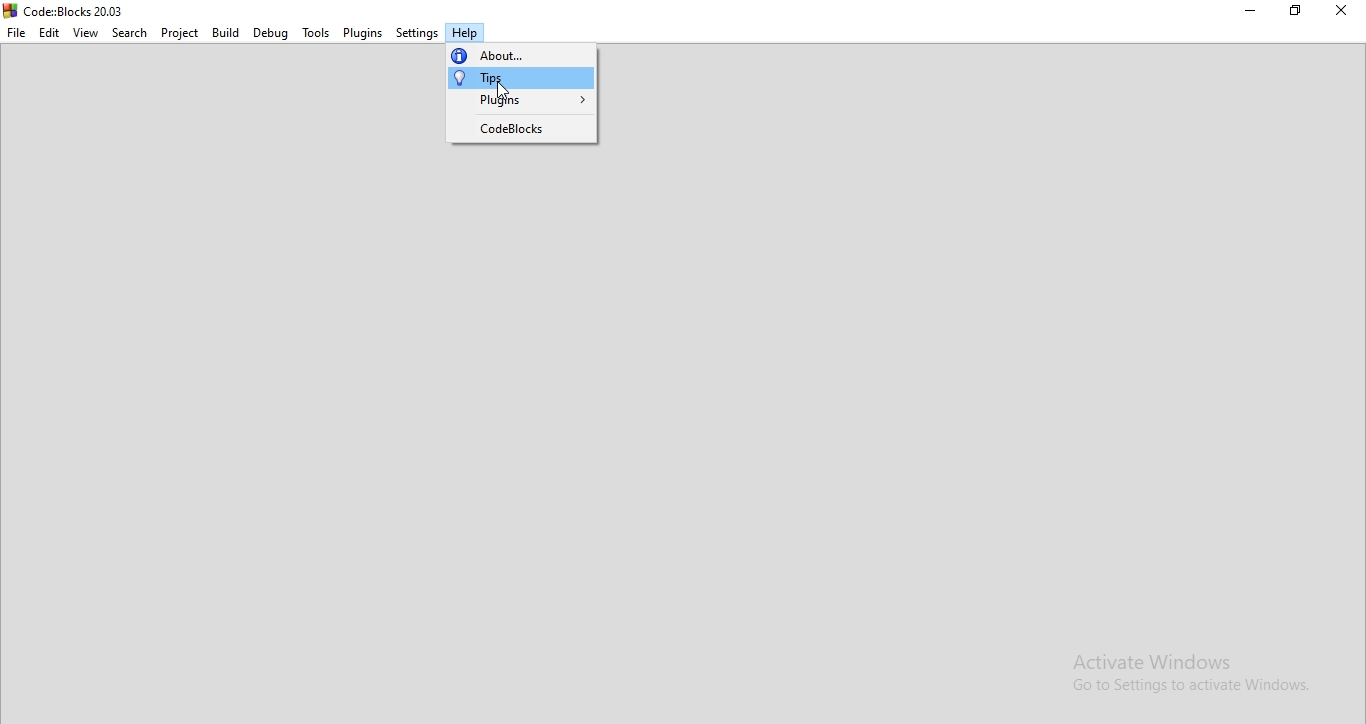  What do you see at coordinates (64, 9) in the screenshot?
I see `logo` at bounding box center [64, 9].